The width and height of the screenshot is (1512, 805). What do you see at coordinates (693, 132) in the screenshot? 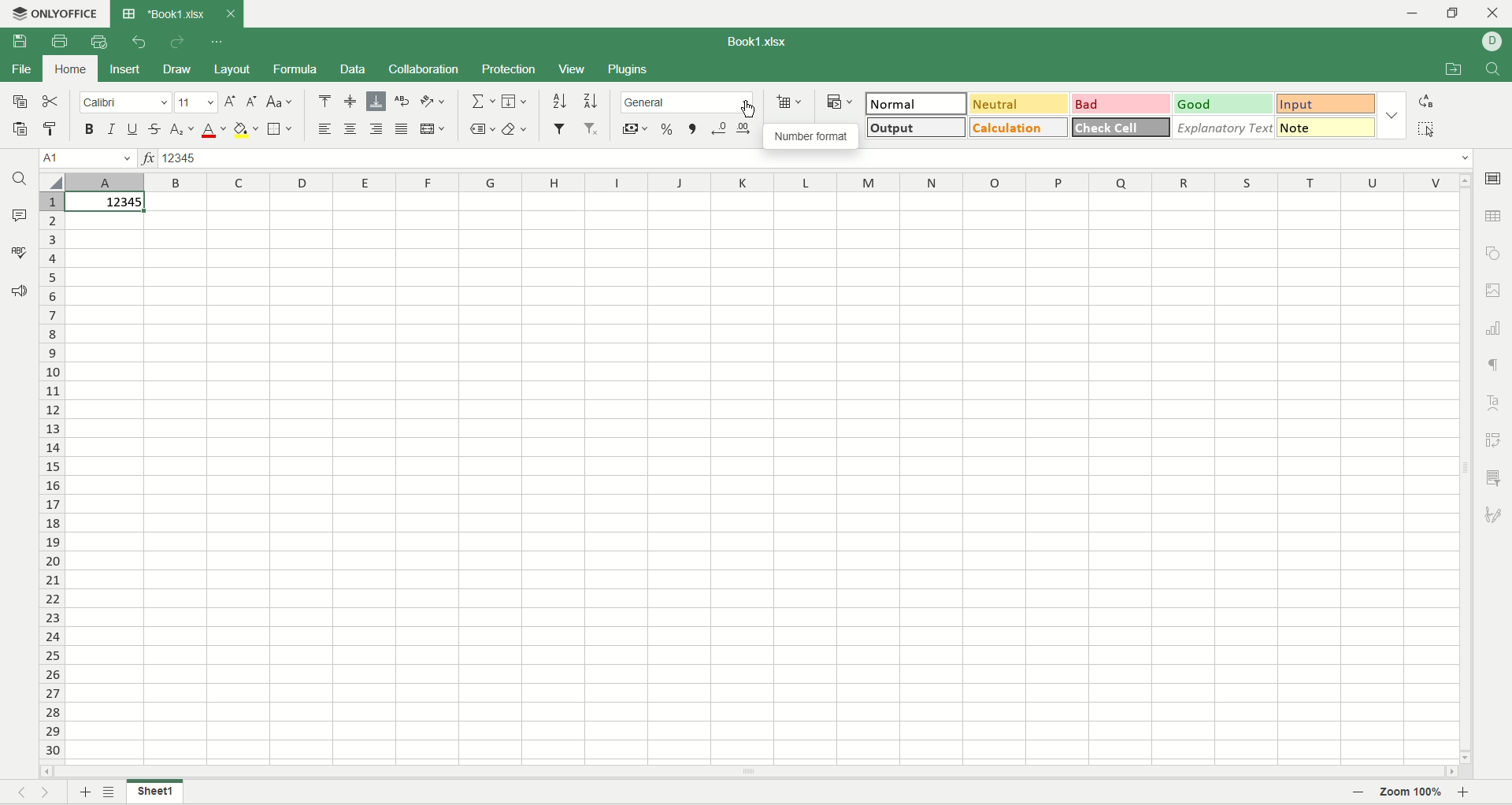
I see `comma style` at bounding box center [693, 132].